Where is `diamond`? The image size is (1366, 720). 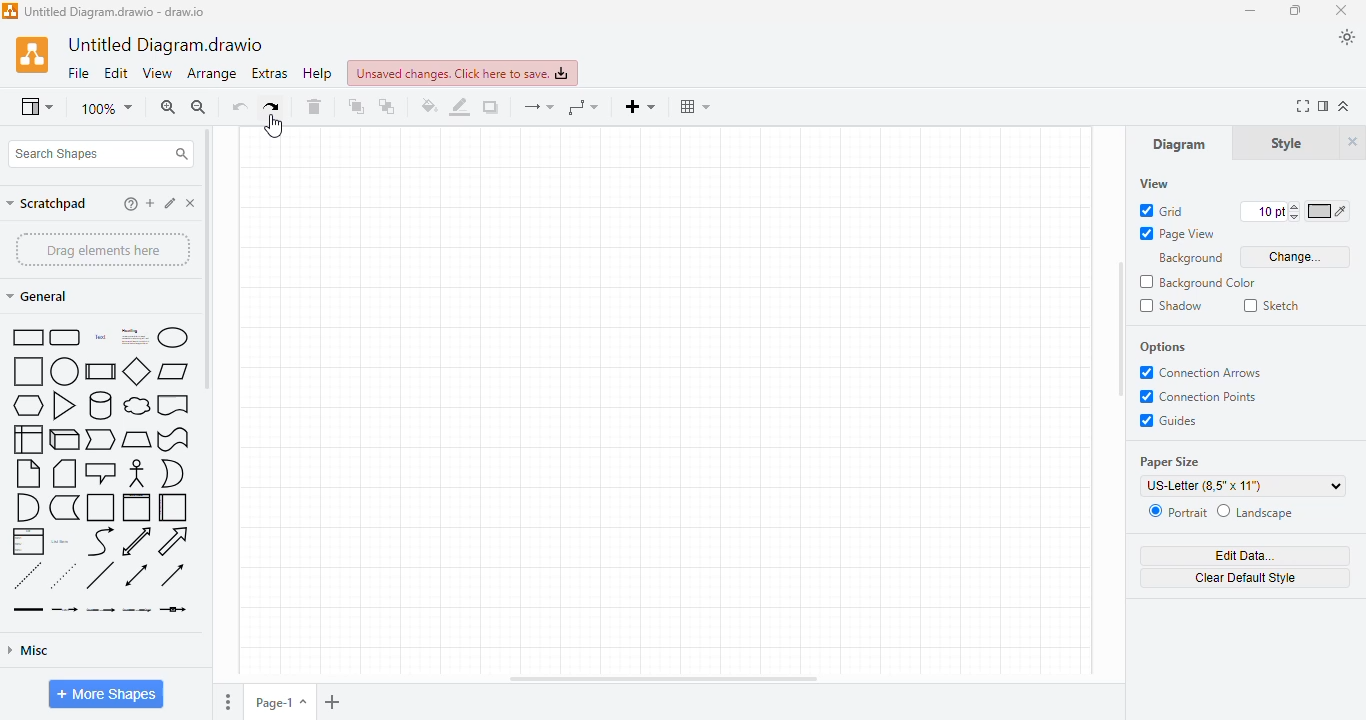
diamond is located at coordinates (137, 372).